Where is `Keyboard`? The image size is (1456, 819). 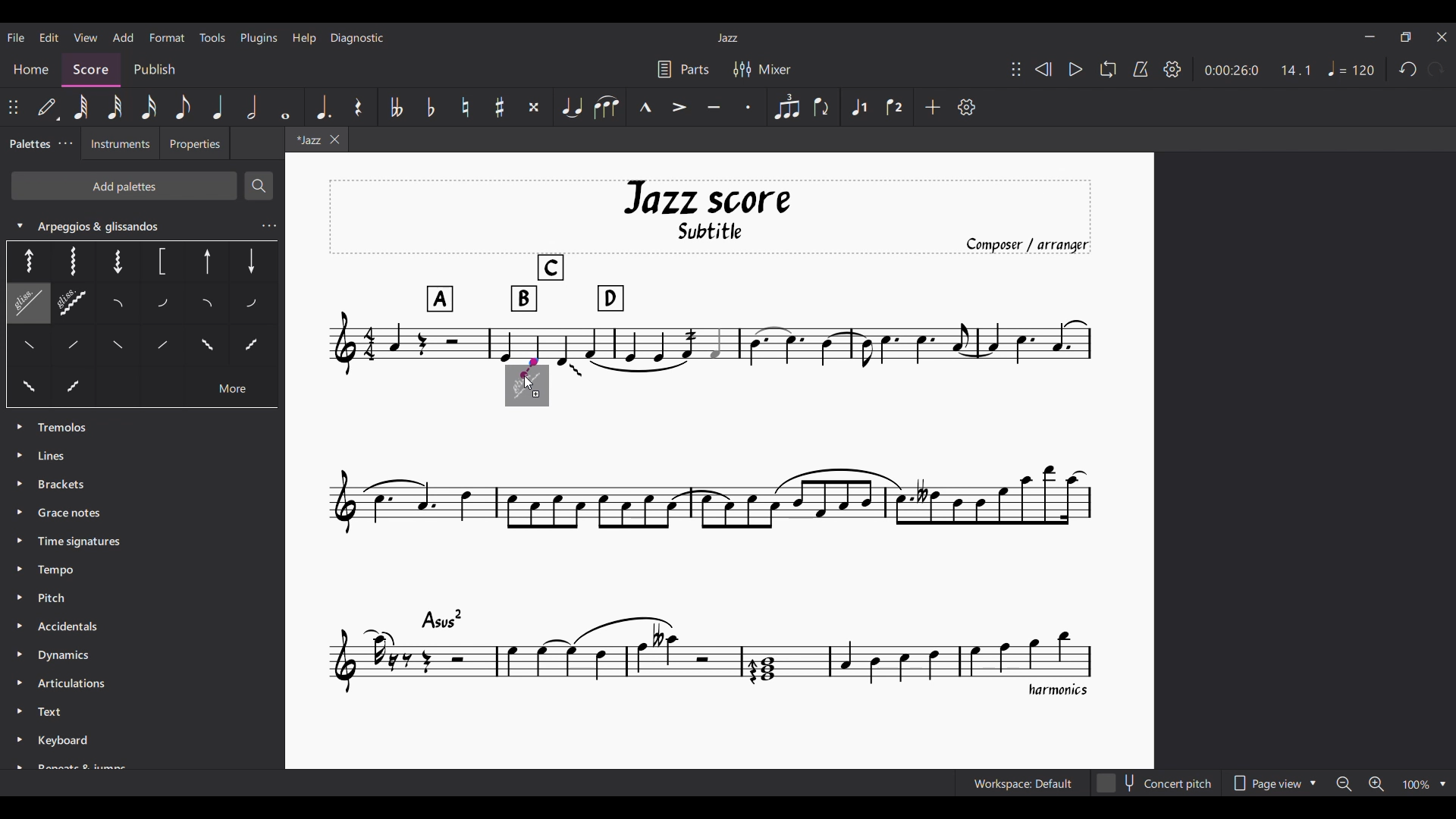
Keyboard is located at coordinates (83, 751).